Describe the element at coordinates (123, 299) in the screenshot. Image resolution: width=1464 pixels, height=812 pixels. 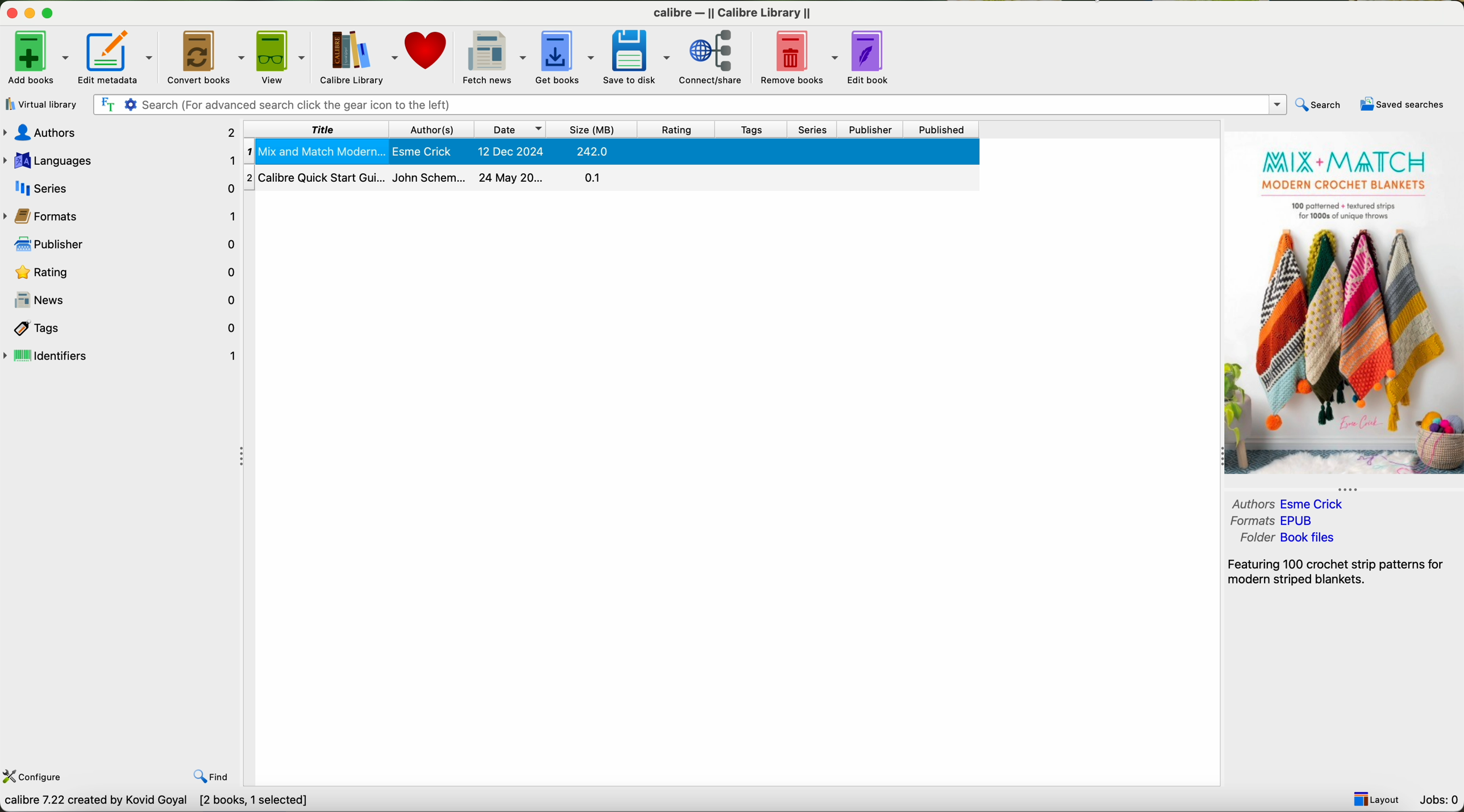
I see `news` at that location.